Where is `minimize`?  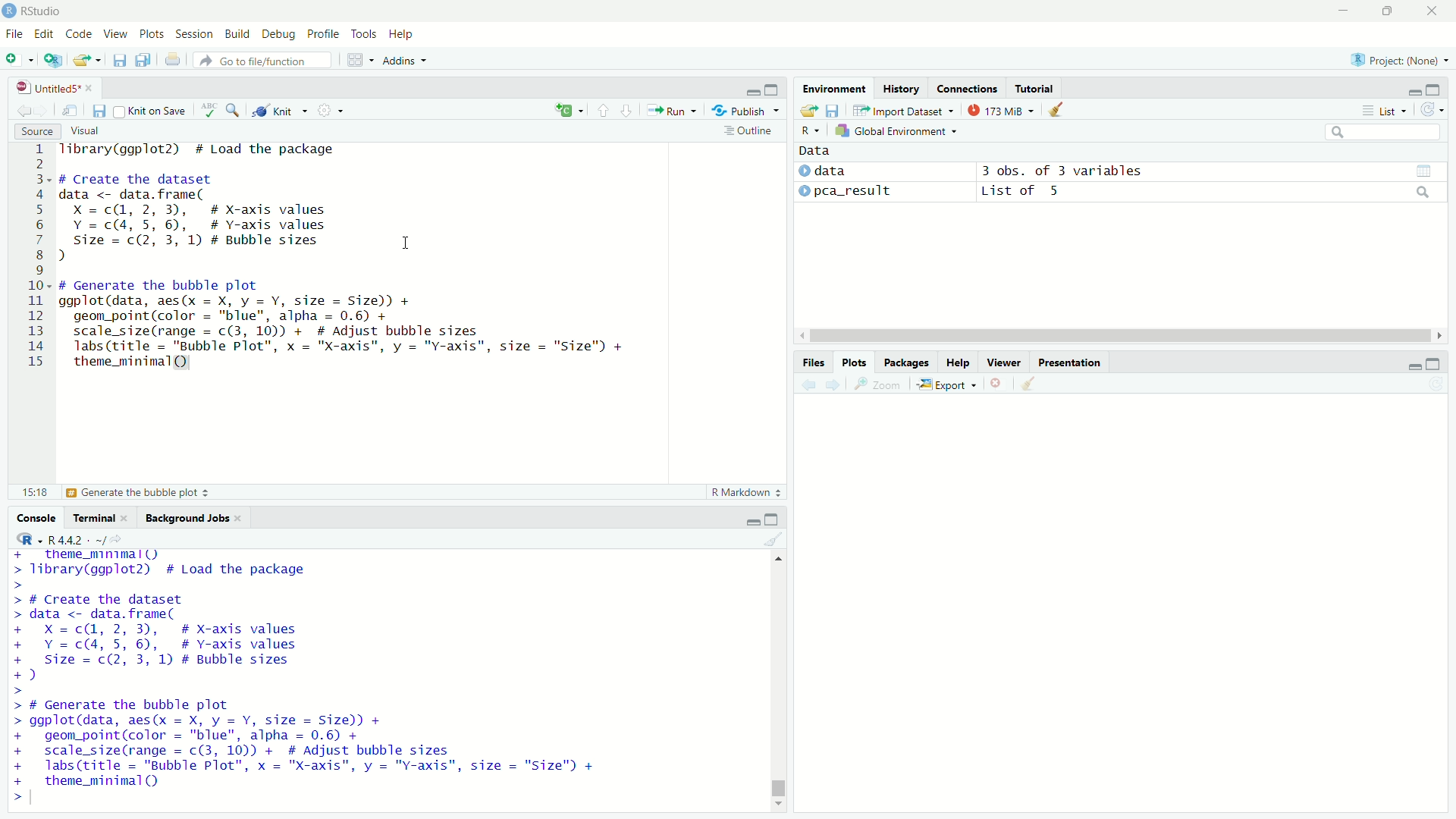
minimize is located at coordinates (1415, 362).